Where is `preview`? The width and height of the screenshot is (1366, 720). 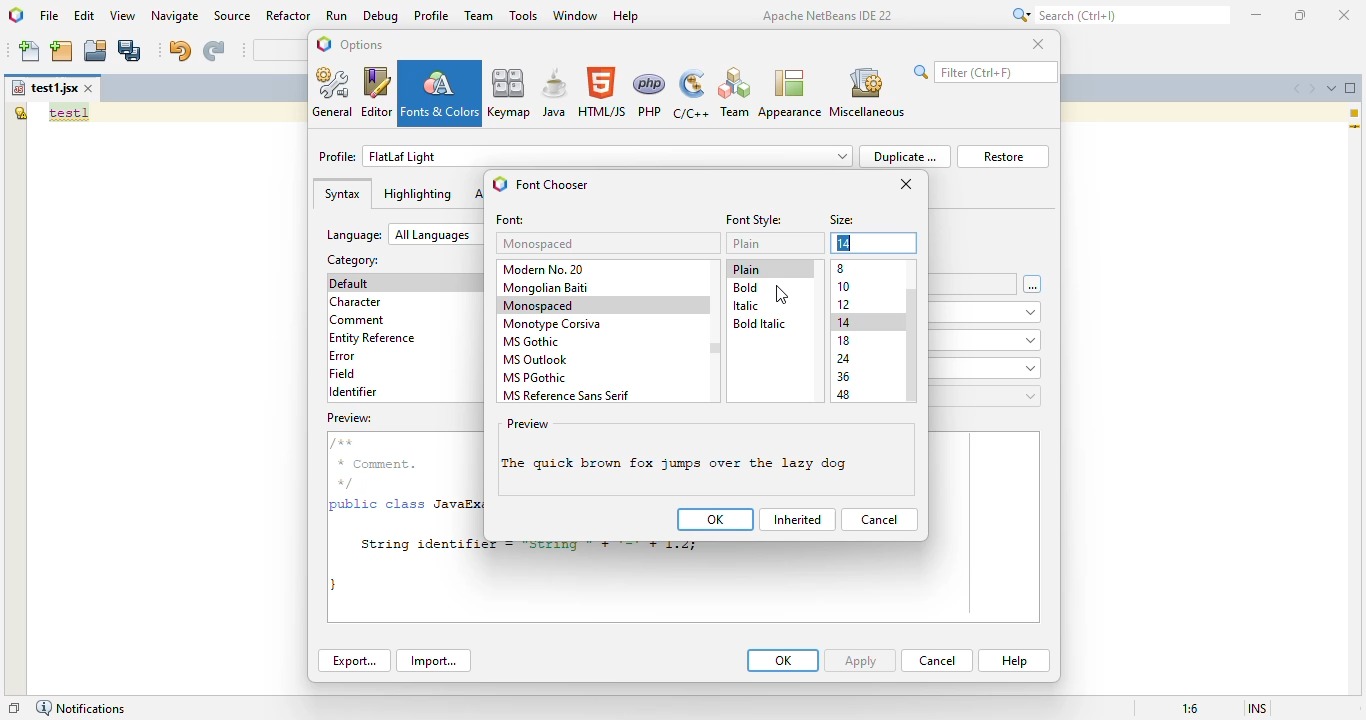
preview is located at coordinates (528, 424).